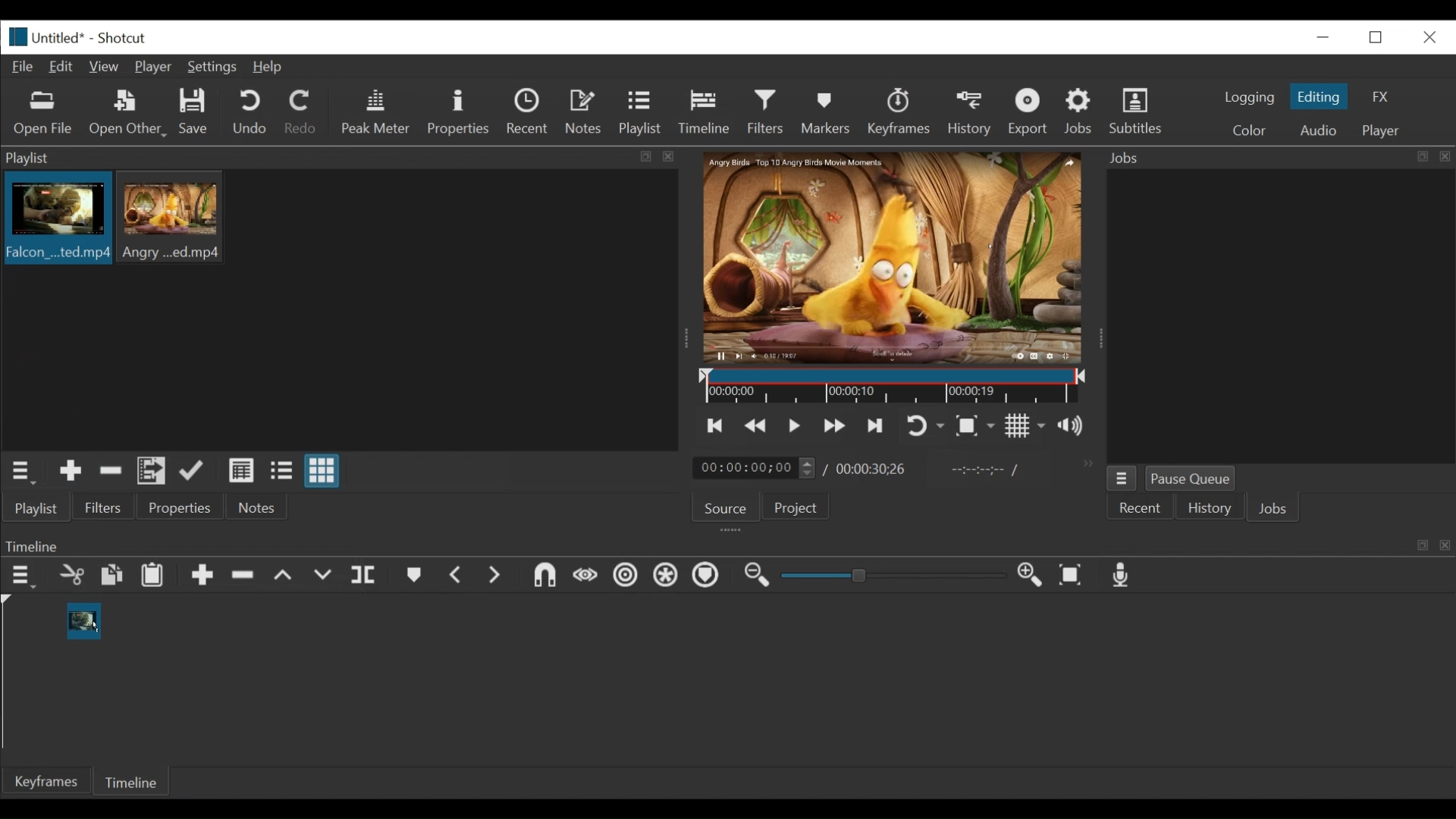 The height and width of the screenshot is (819, 1456). What do you see at coordinates (1380, 36) in the screenshot?
I see `restore` at bounding box center [1380, 36].